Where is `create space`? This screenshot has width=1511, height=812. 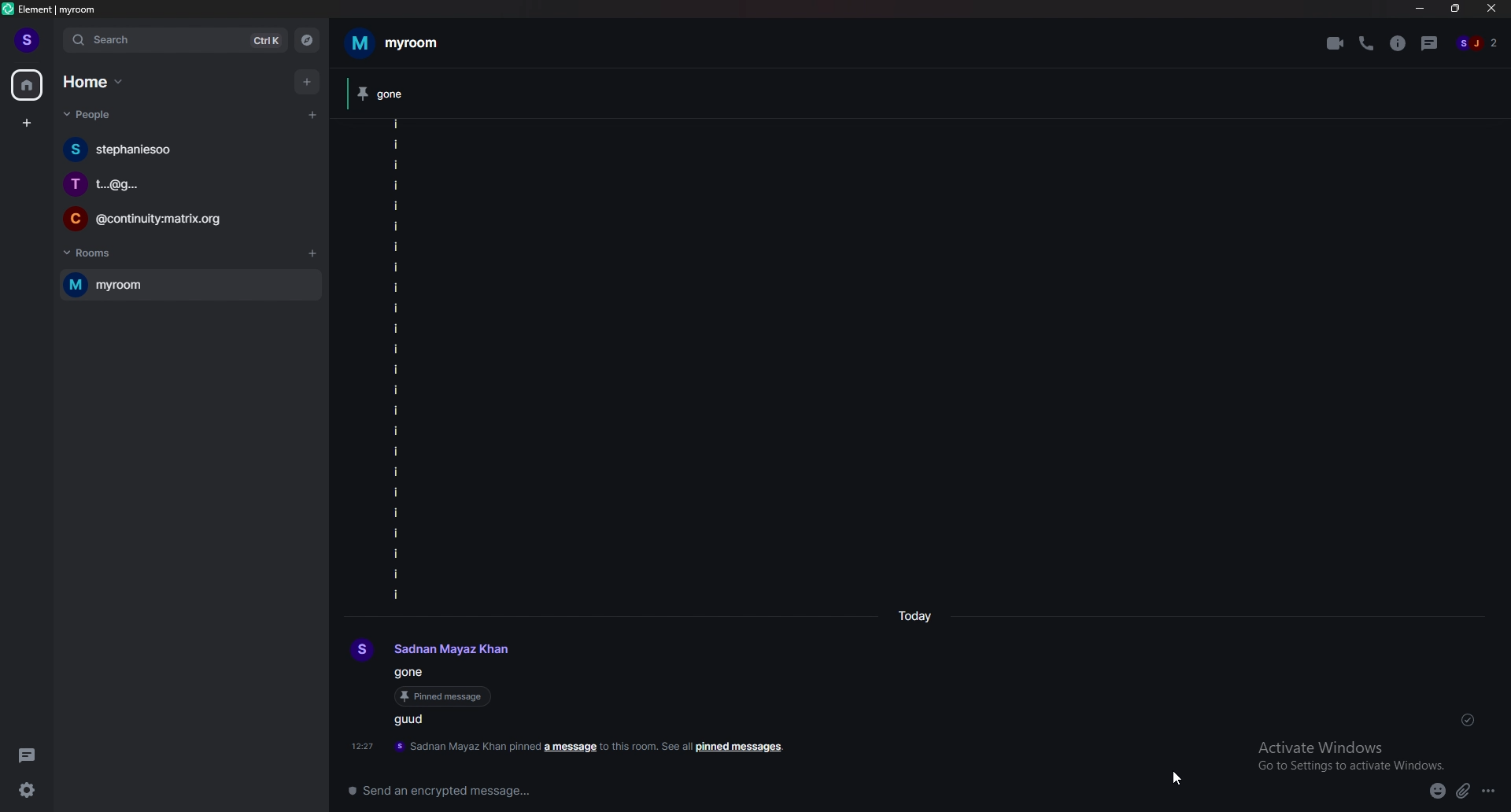
create space is located at coordinates (26, 124).